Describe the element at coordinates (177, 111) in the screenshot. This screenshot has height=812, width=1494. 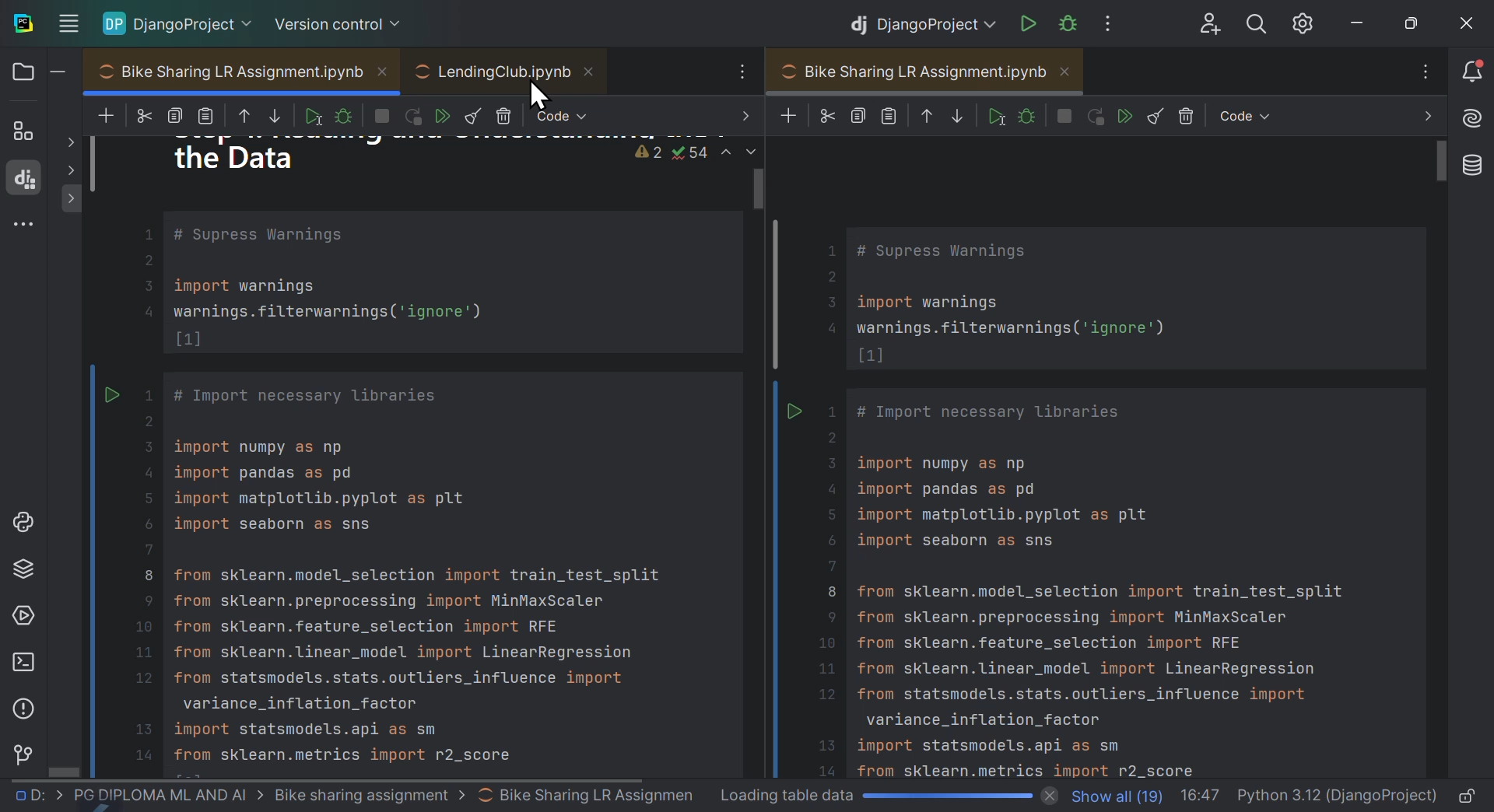
I see `copy` at that location.